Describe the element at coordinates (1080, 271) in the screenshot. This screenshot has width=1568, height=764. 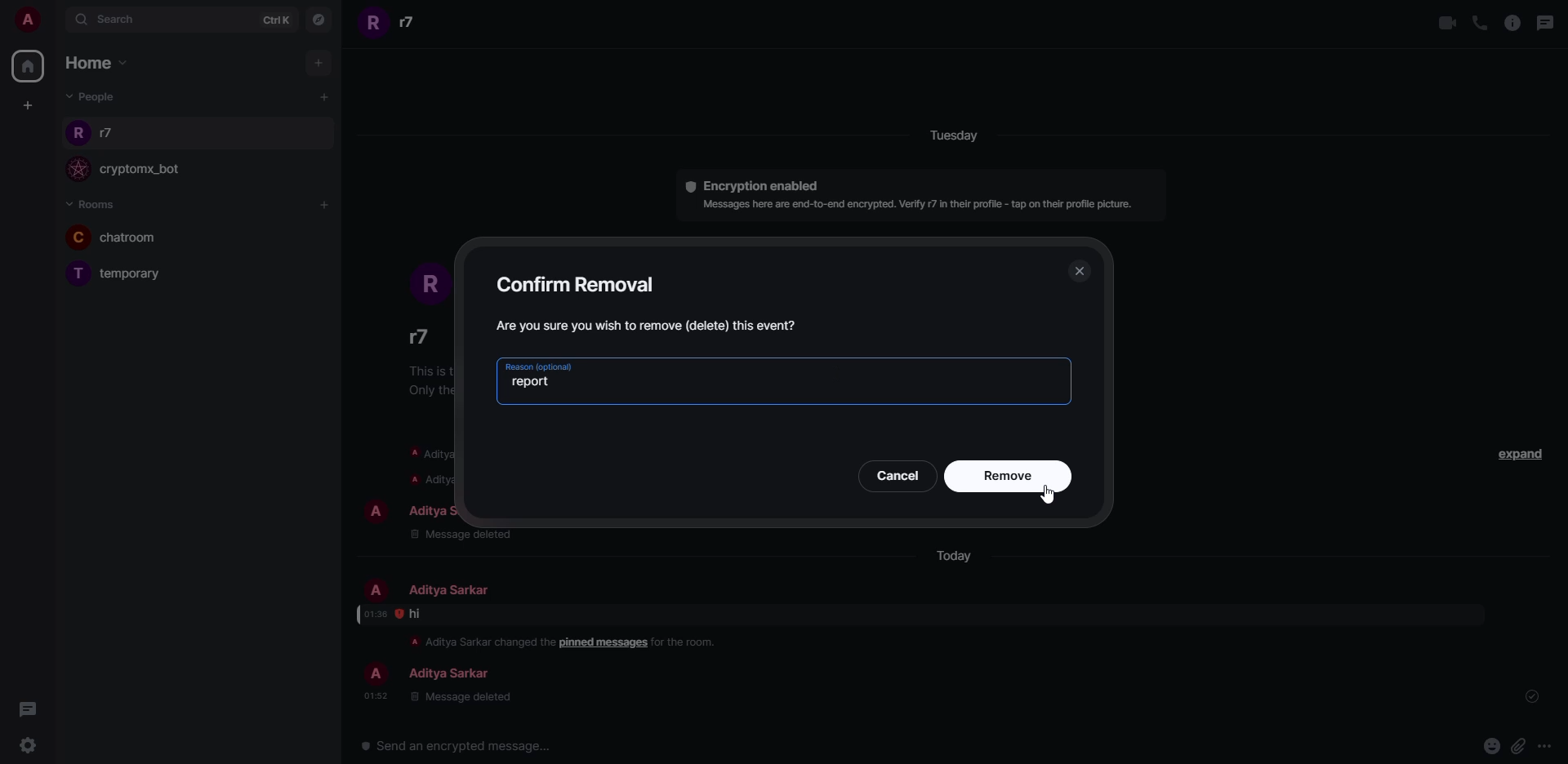
I see `close` at that location.